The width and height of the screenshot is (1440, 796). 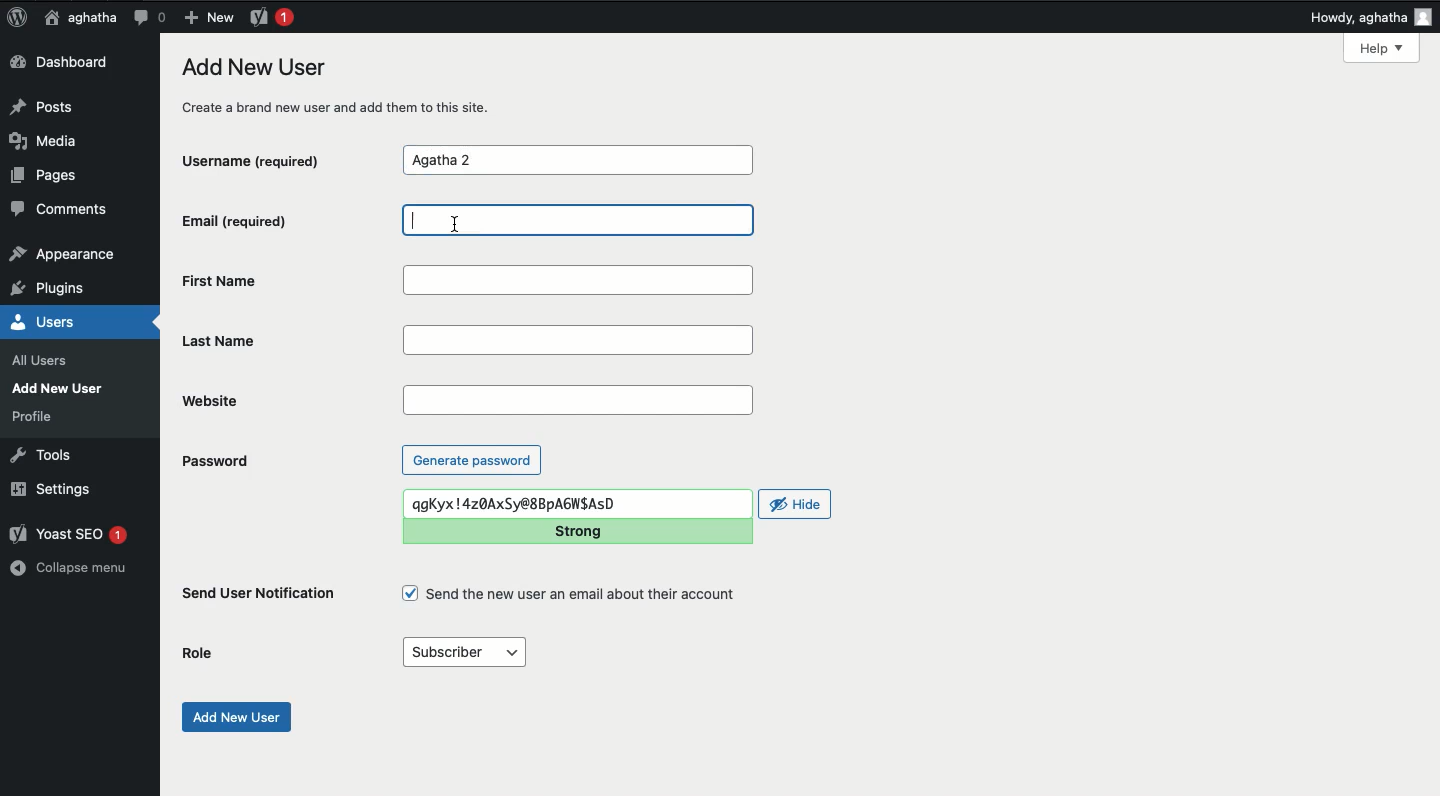 I want to click on Strong, so click(x=579, y=531).